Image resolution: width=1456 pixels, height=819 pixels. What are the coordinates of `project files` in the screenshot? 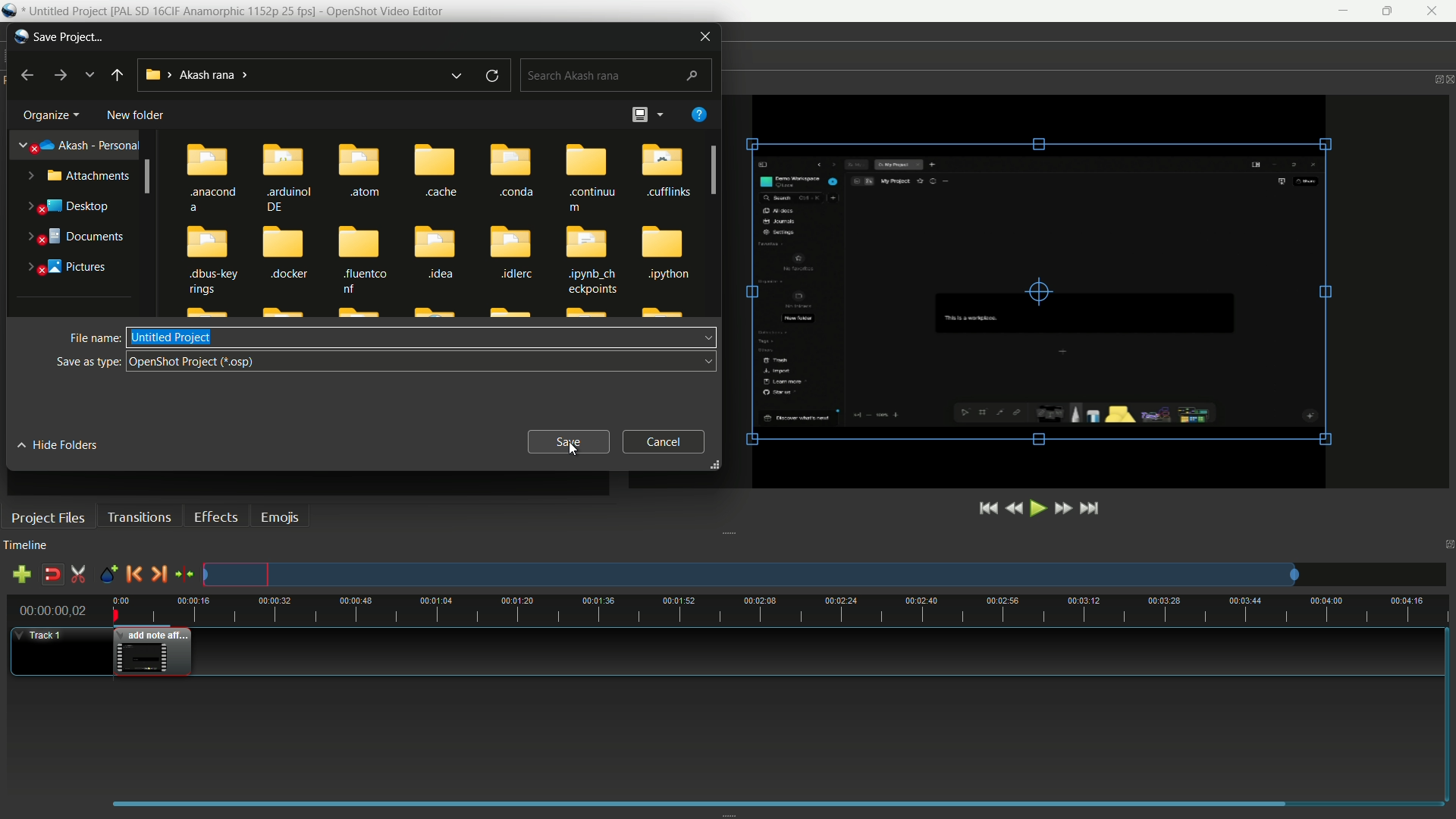 It's located at (48, 518).